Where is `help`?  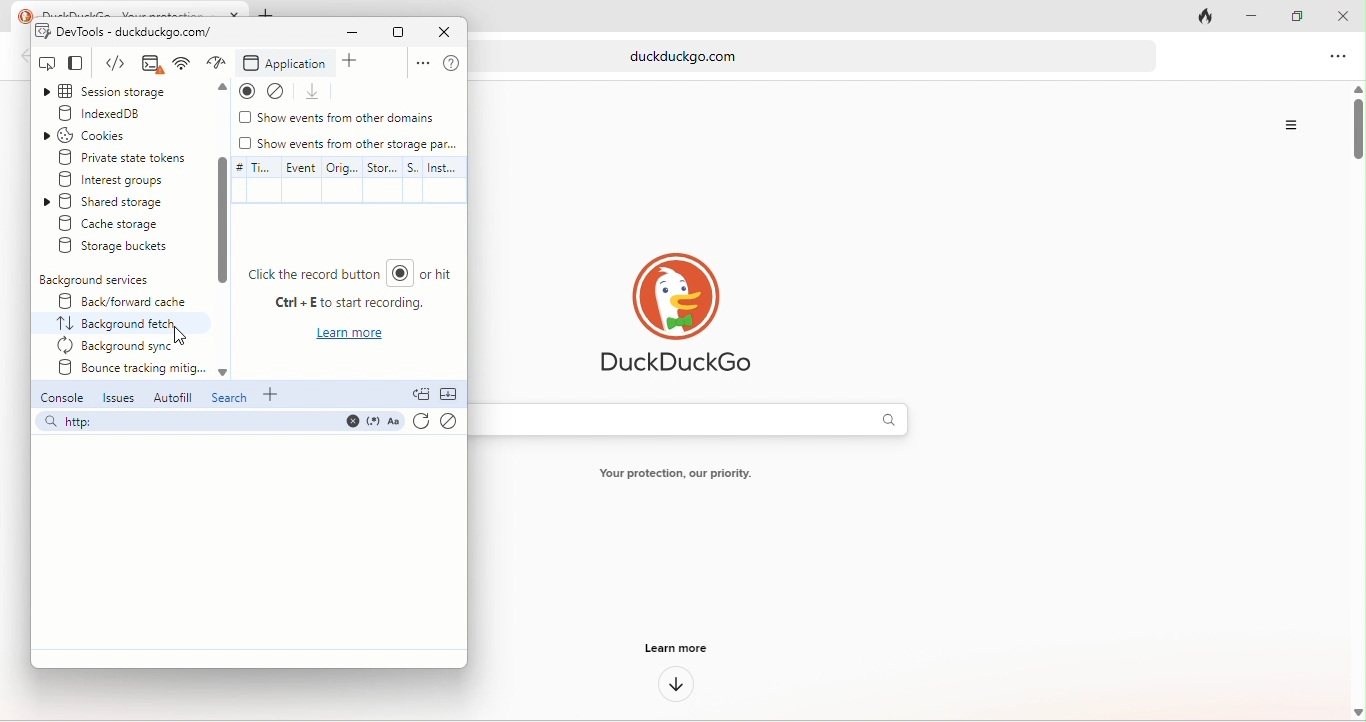 help is located at coordinates (452, 64).